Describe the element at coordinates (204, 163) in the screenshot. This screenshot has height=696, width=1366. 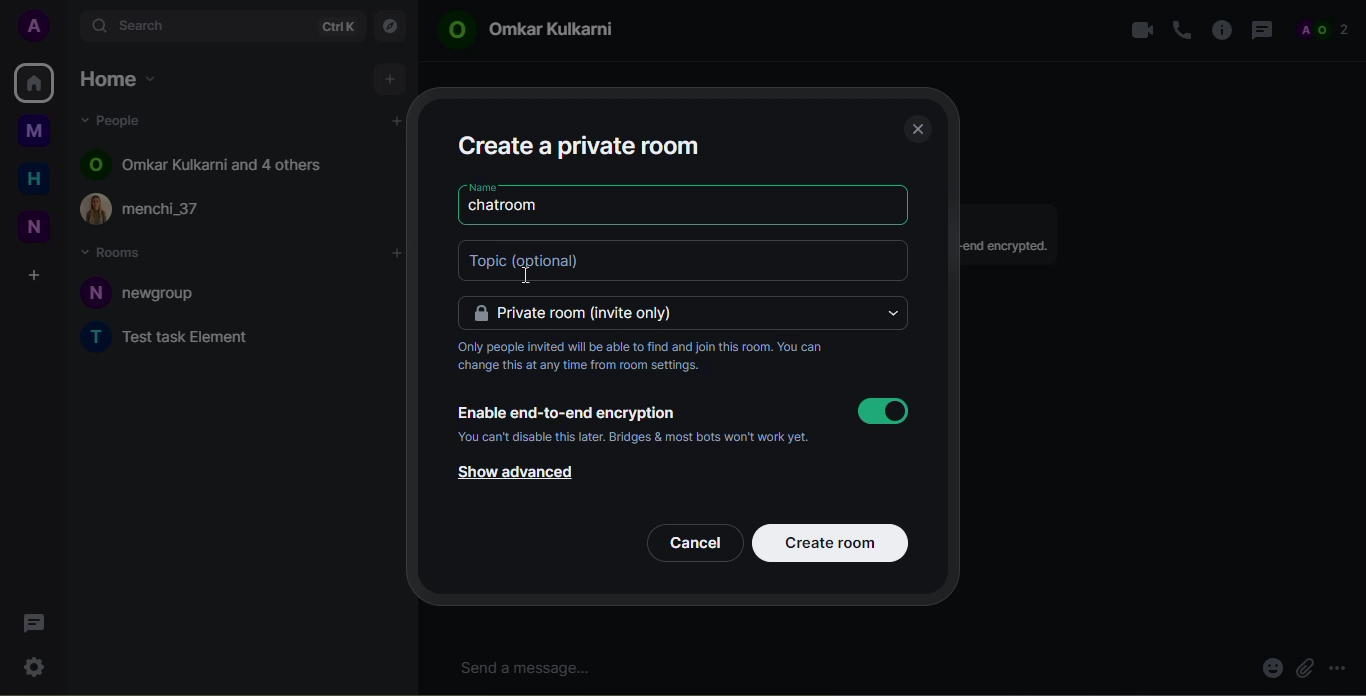
I see `©  Omkar Kulkarni and 4 others` at that location.